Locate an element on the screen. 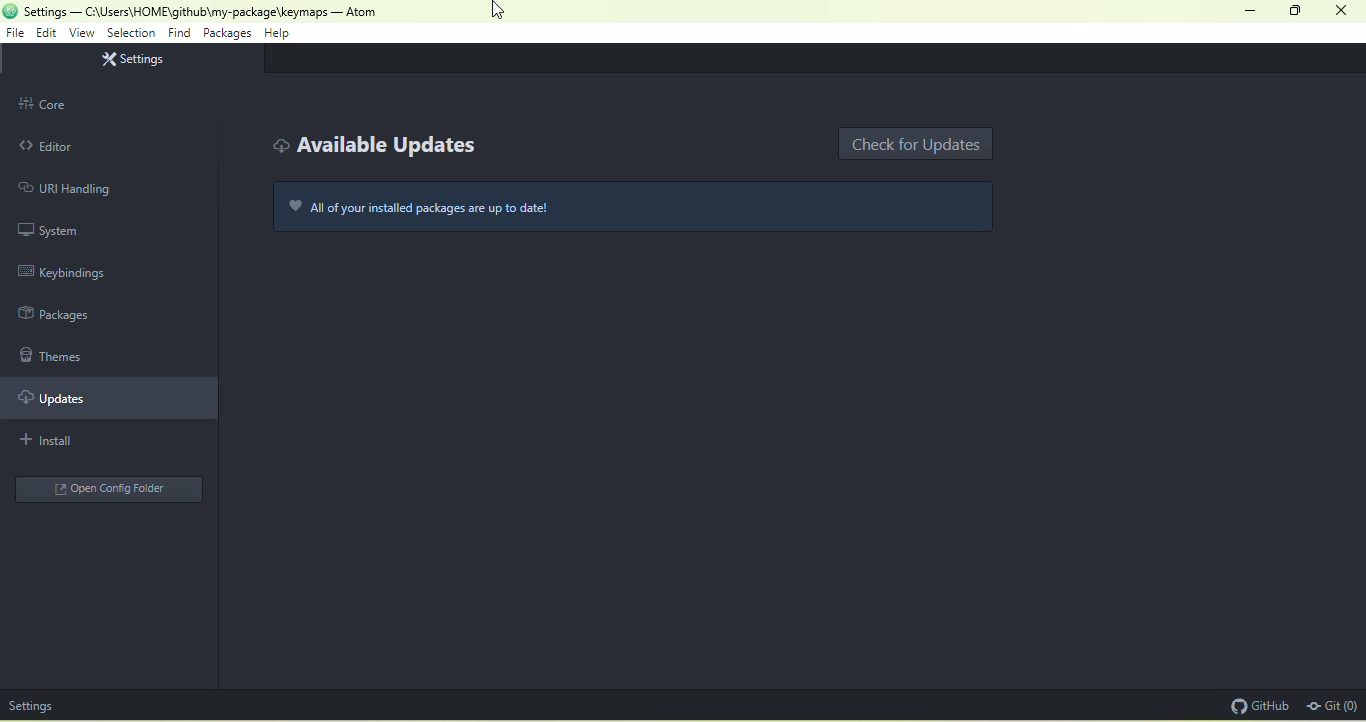 The height and width of the screenshot is (722, 1366). find is located at coordinates (181, 33).